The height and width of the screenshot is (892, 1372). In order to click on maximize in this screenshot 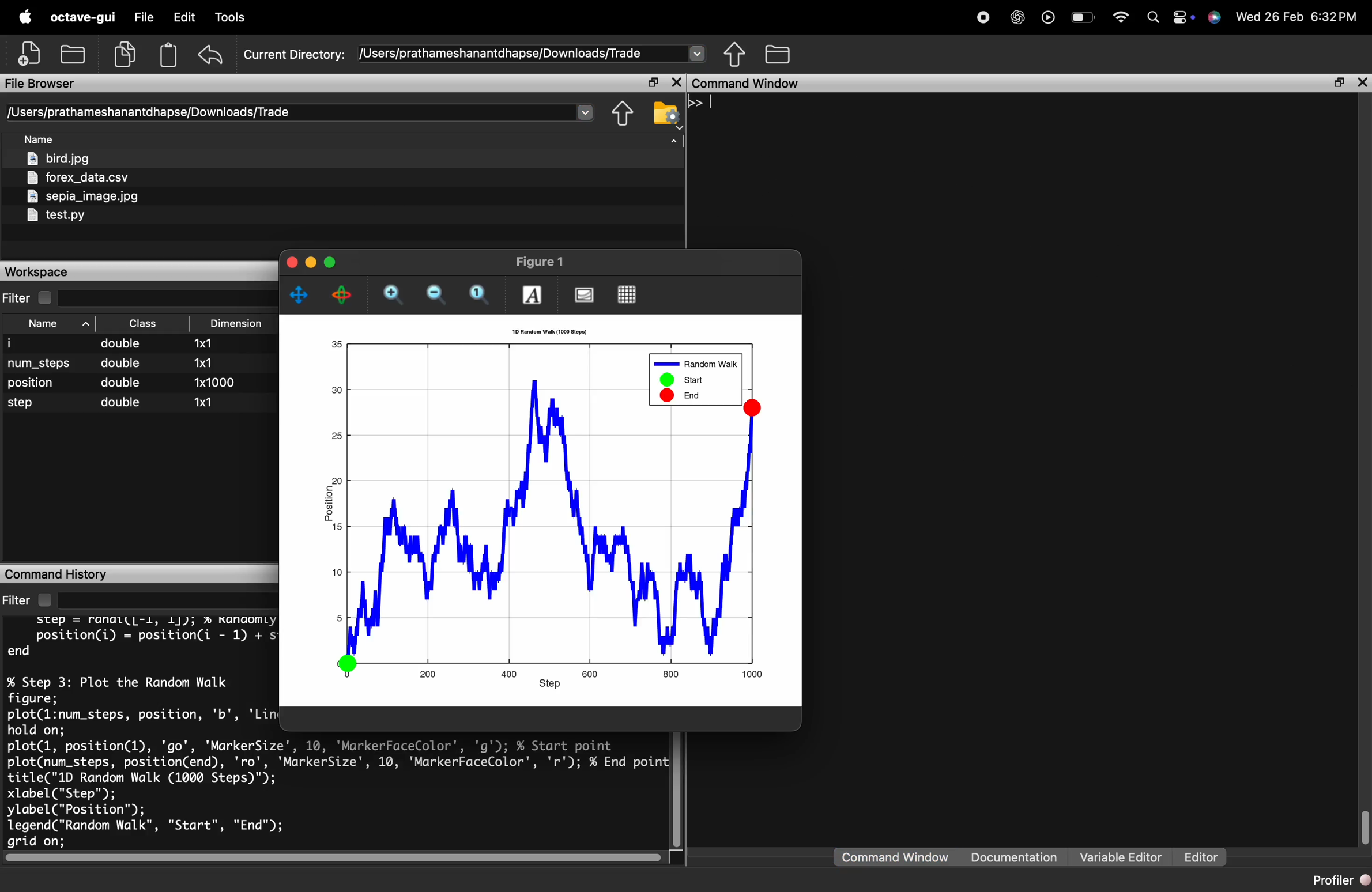, I will do `click(329, 262)`.